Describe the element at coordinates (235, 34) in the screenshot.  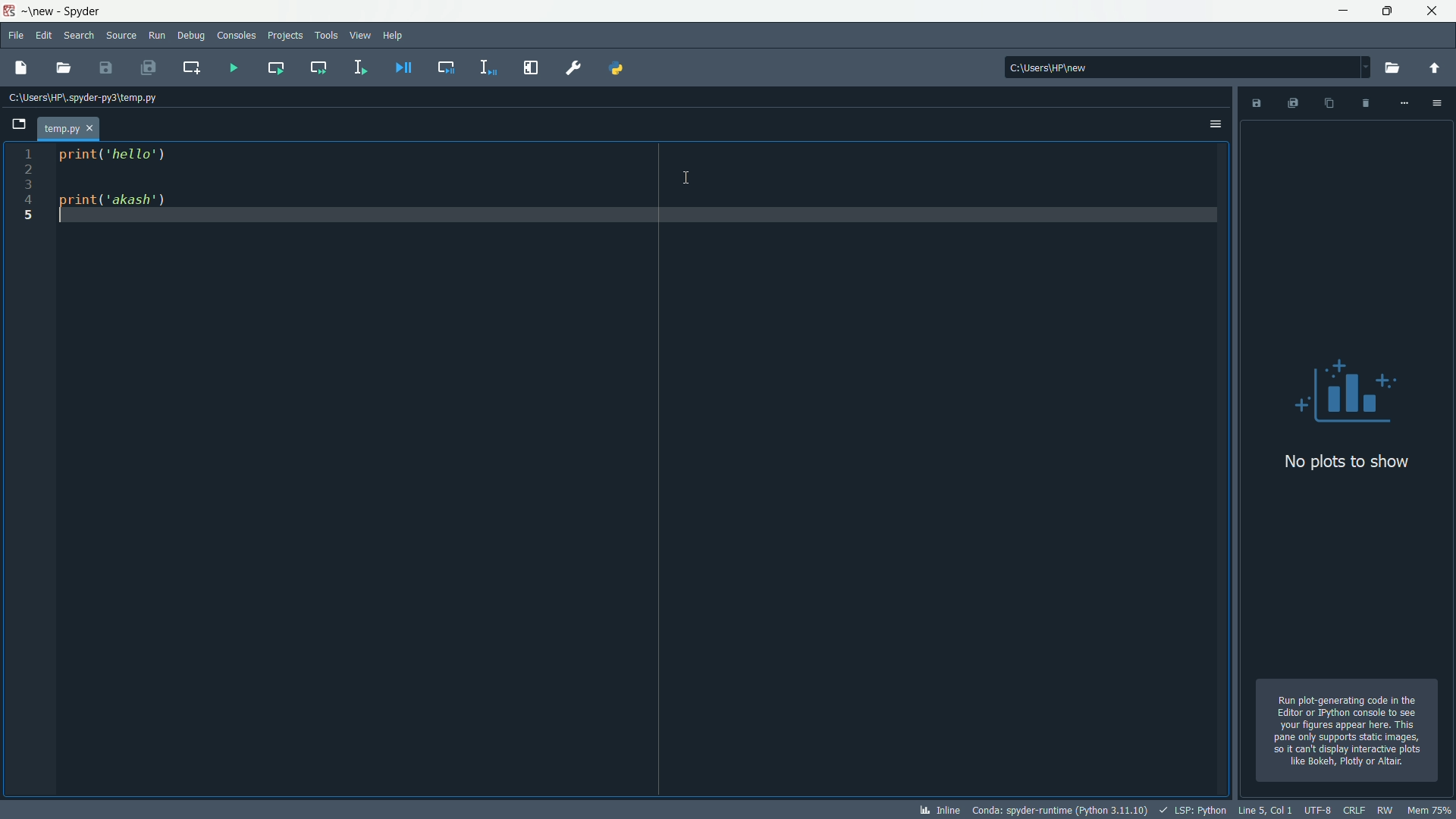
I see `consoles menu` at that location.